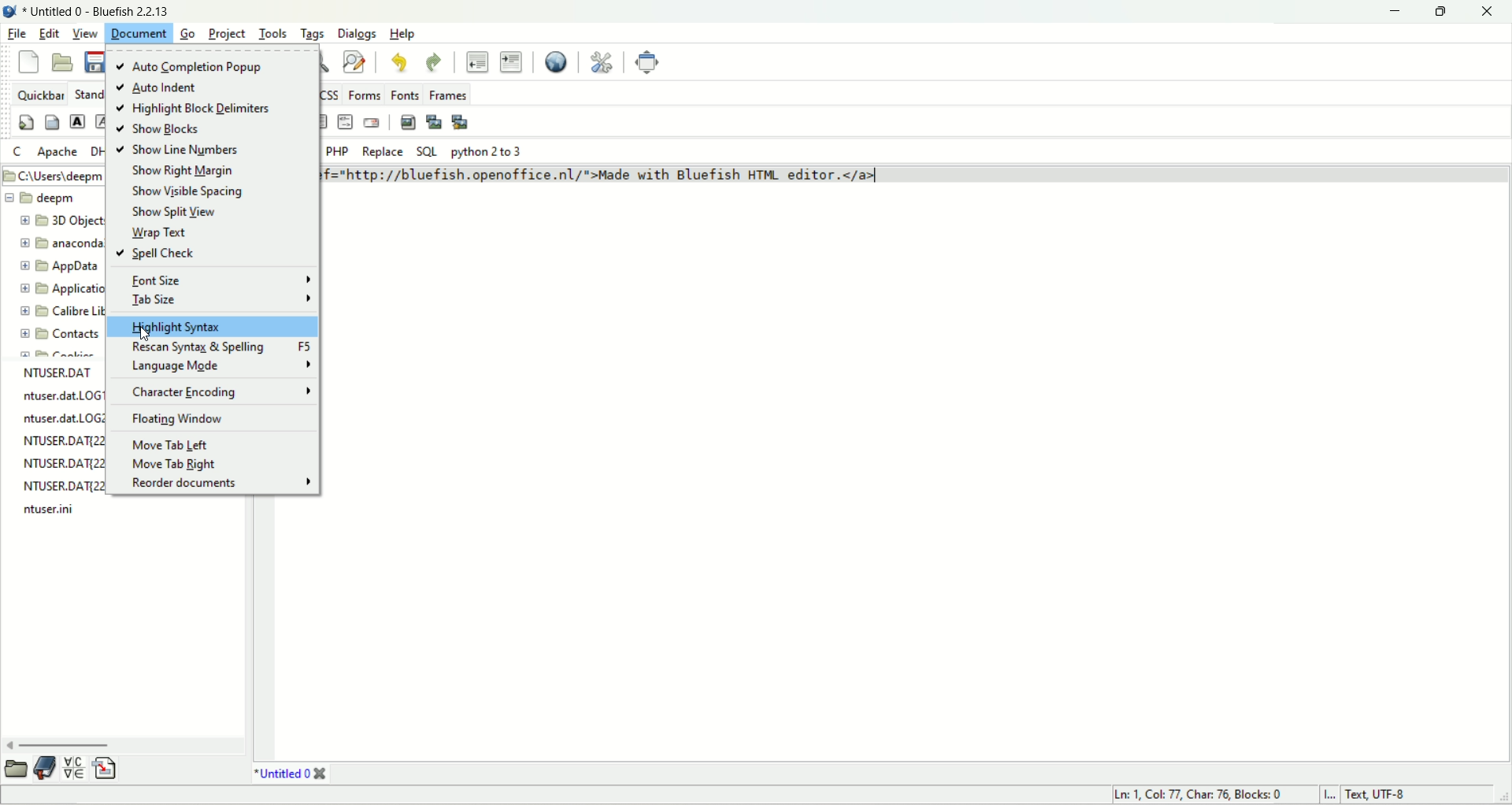 The image size is (1512, 805). What do you see at coordinates (220, 484) in the screenshot?
I see `reorder document` at bounding box center [220, 484].